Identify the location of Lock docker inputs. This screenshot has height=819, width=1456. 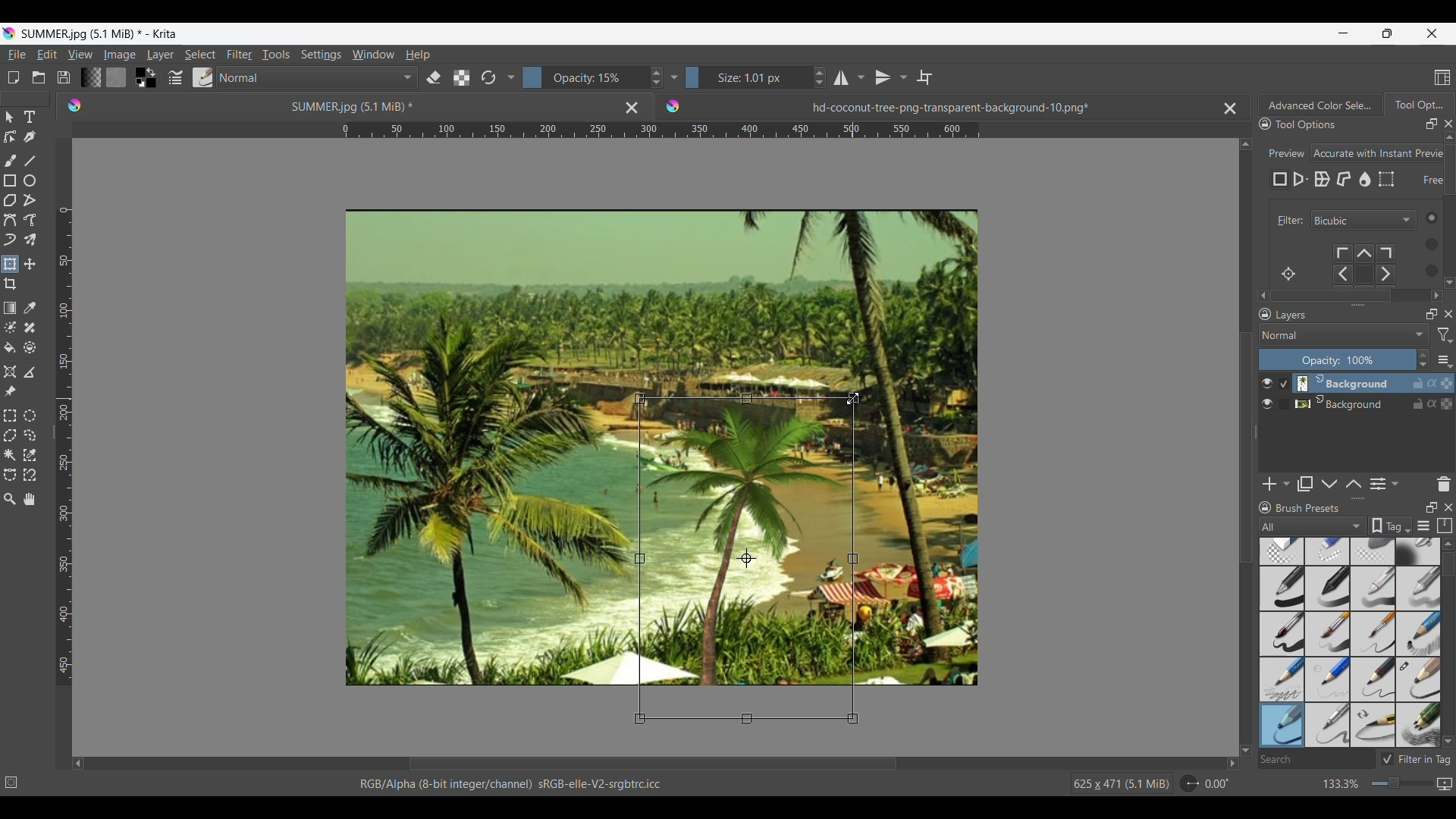
(1265, 124).